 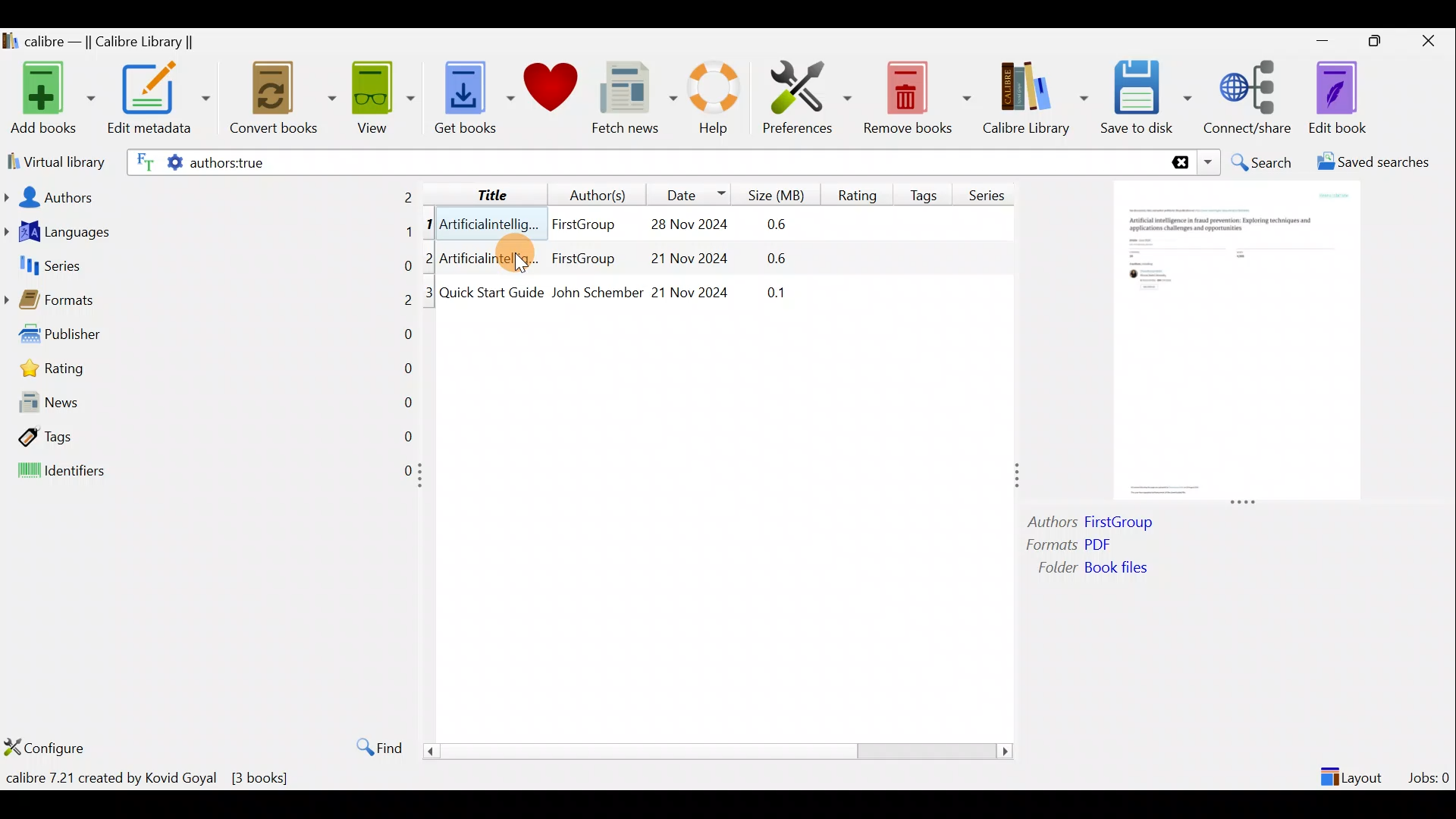 What do you see at coordinates (692, 290) in the screenshot?
I see `21 Nov 2024` at bounding box center [692, 290].